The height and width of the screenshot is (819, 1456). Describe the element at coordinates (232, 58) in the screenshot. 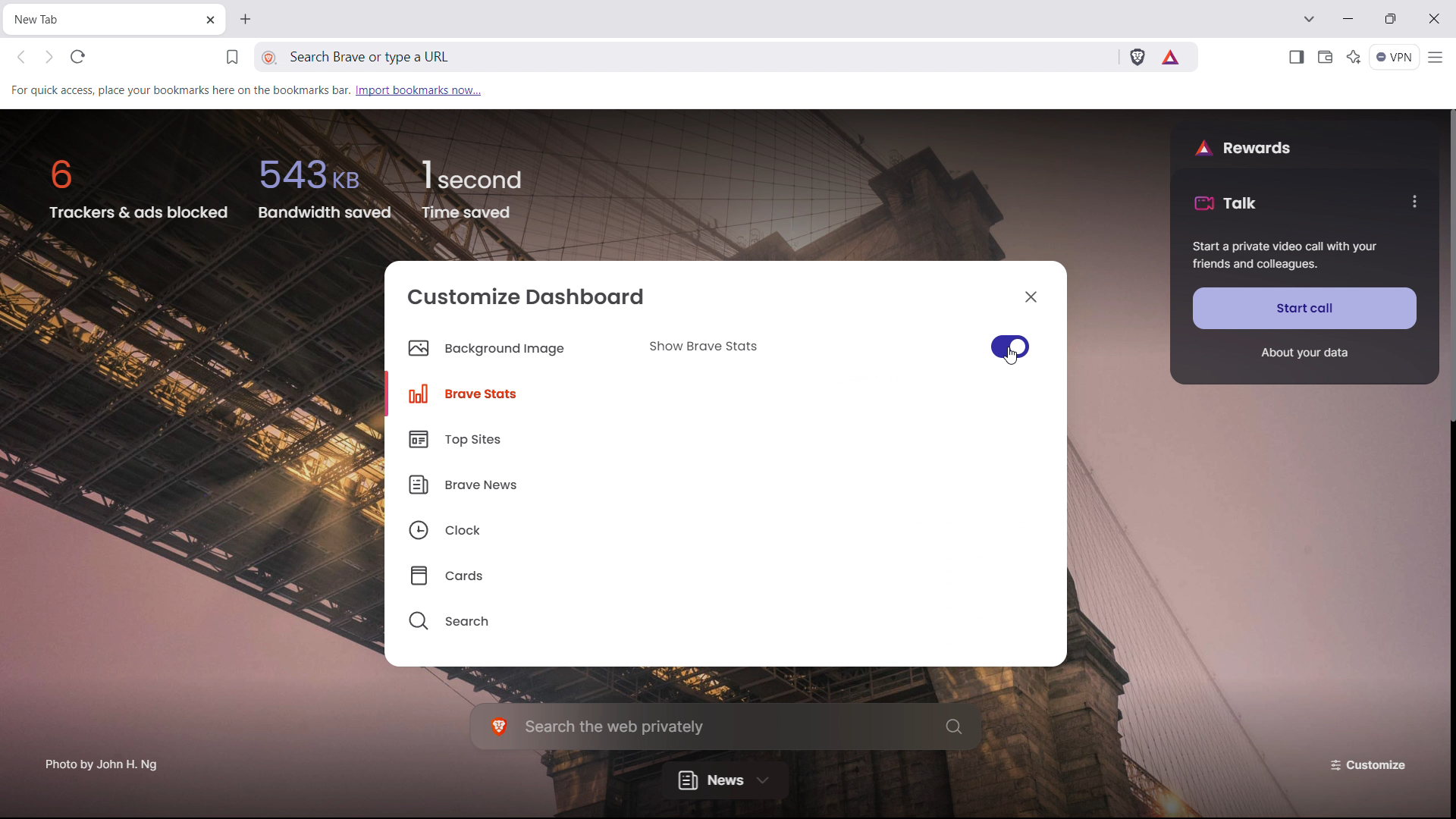

I see `bookmark this page` at that location.